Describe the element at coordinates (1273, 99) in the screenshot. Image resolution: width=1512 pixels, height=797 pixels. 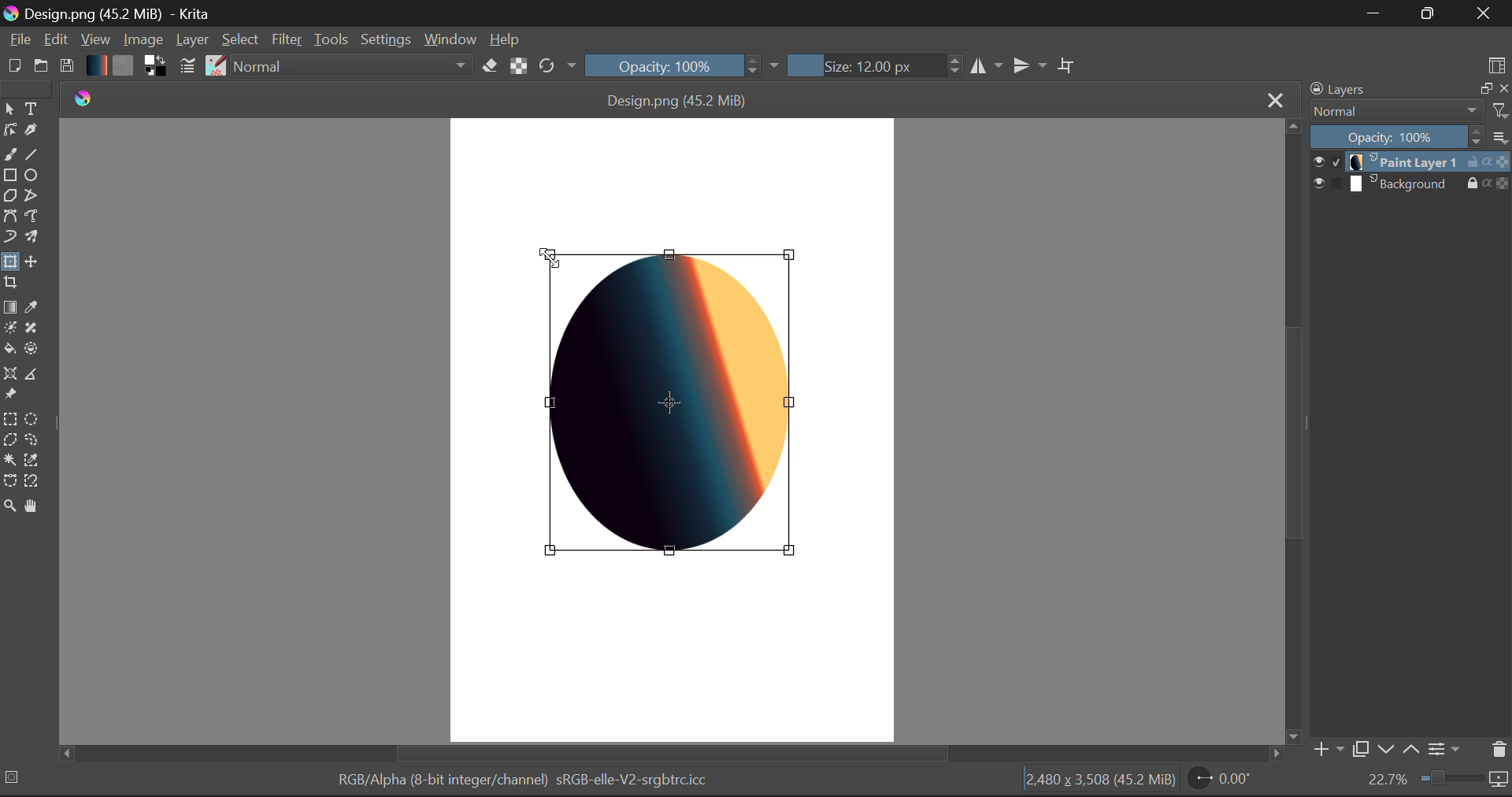
I see `Close` at that location.